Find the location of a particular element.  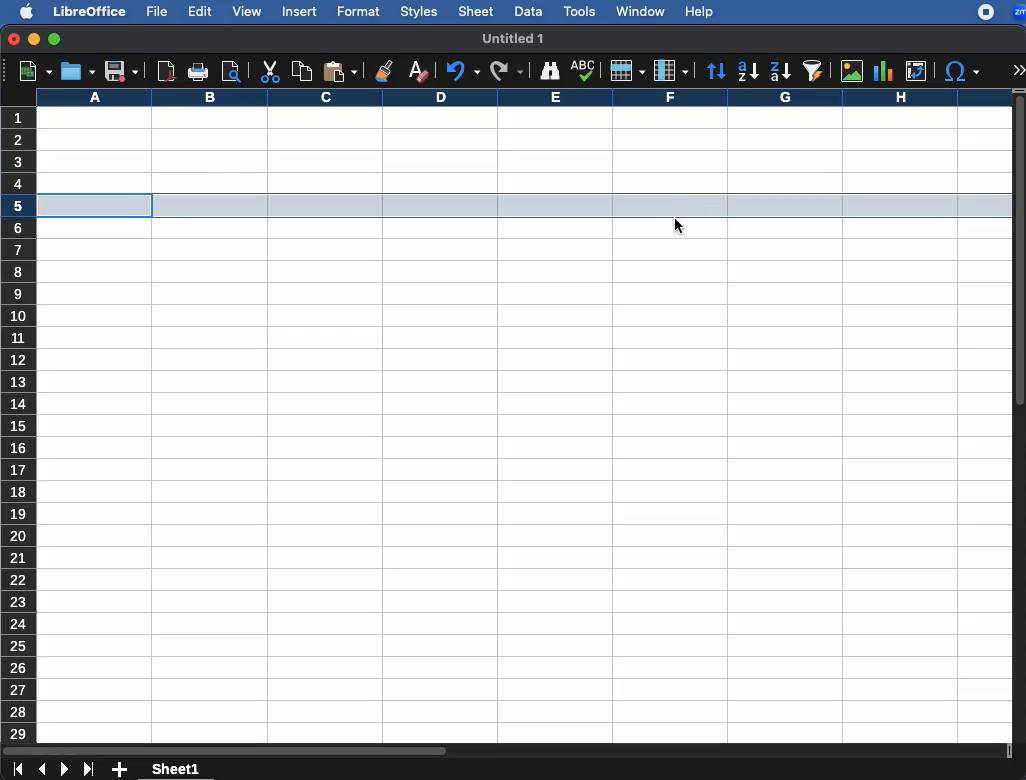

save is located at coordinates (122, 72).